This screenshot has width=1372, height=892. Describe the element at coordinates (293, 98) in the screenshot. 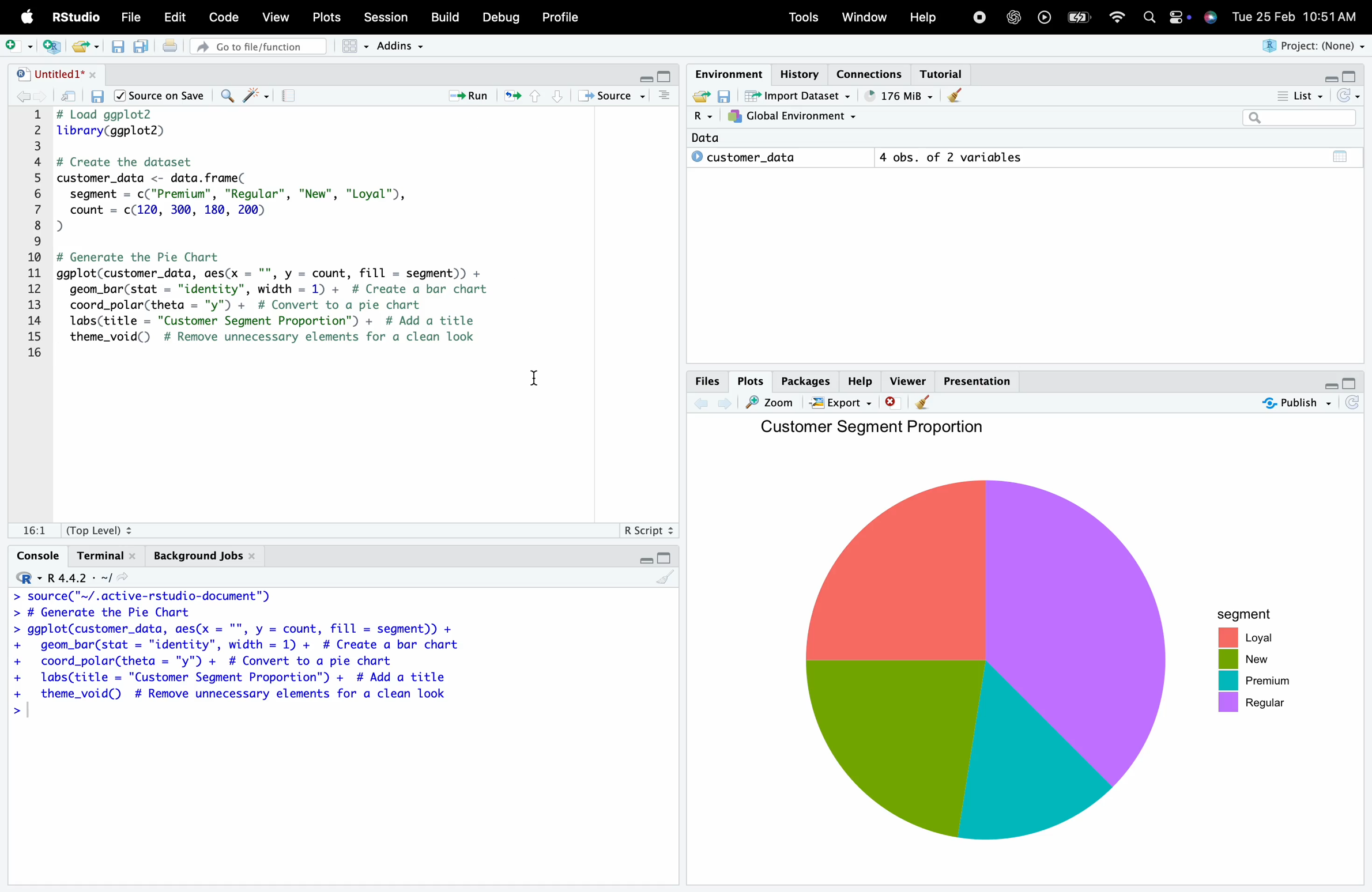

I see `notebook` at that location.